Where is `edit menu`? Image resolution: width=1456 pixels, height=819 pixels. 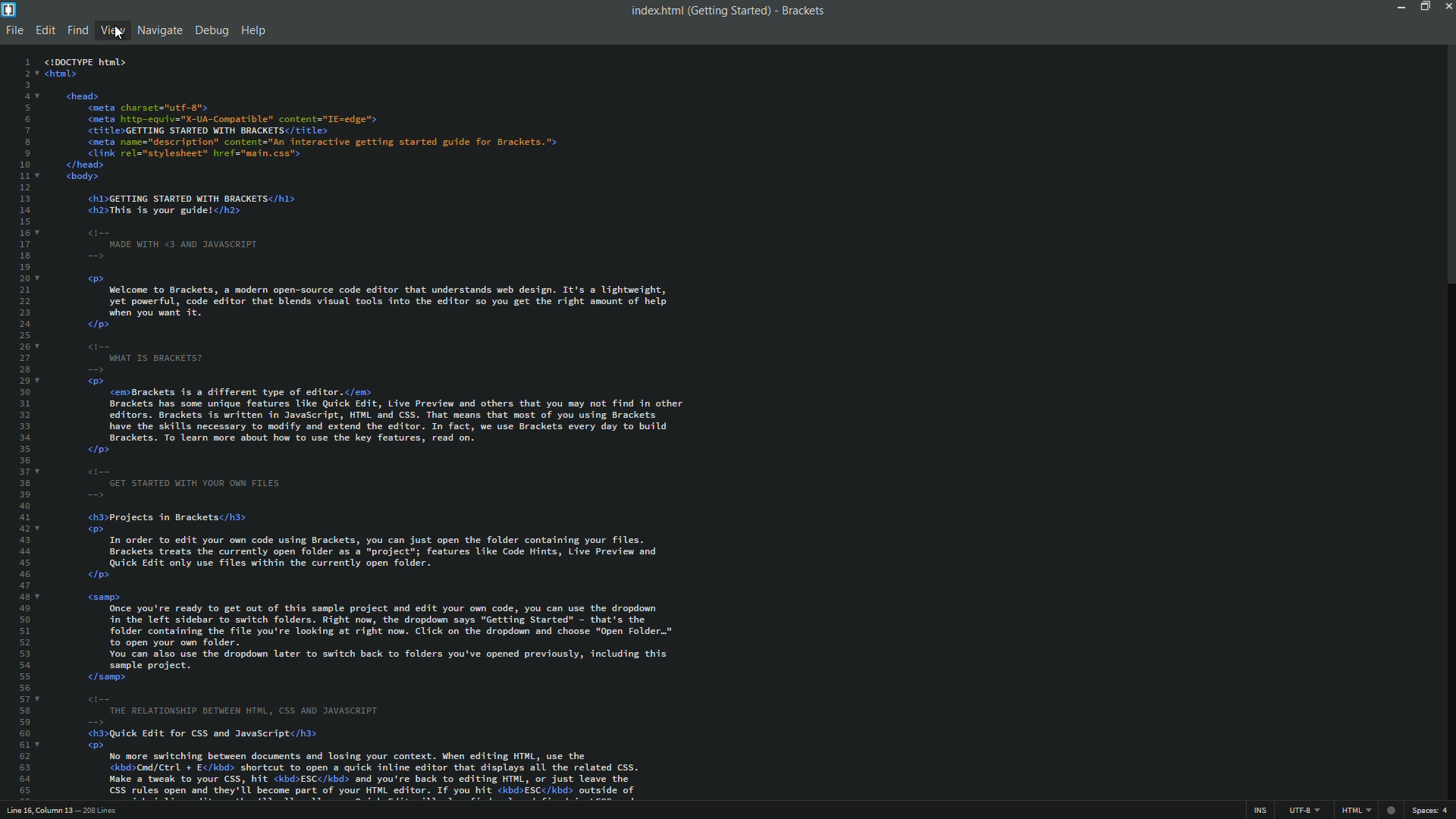
edit menu is located at coordinates (45, 31).